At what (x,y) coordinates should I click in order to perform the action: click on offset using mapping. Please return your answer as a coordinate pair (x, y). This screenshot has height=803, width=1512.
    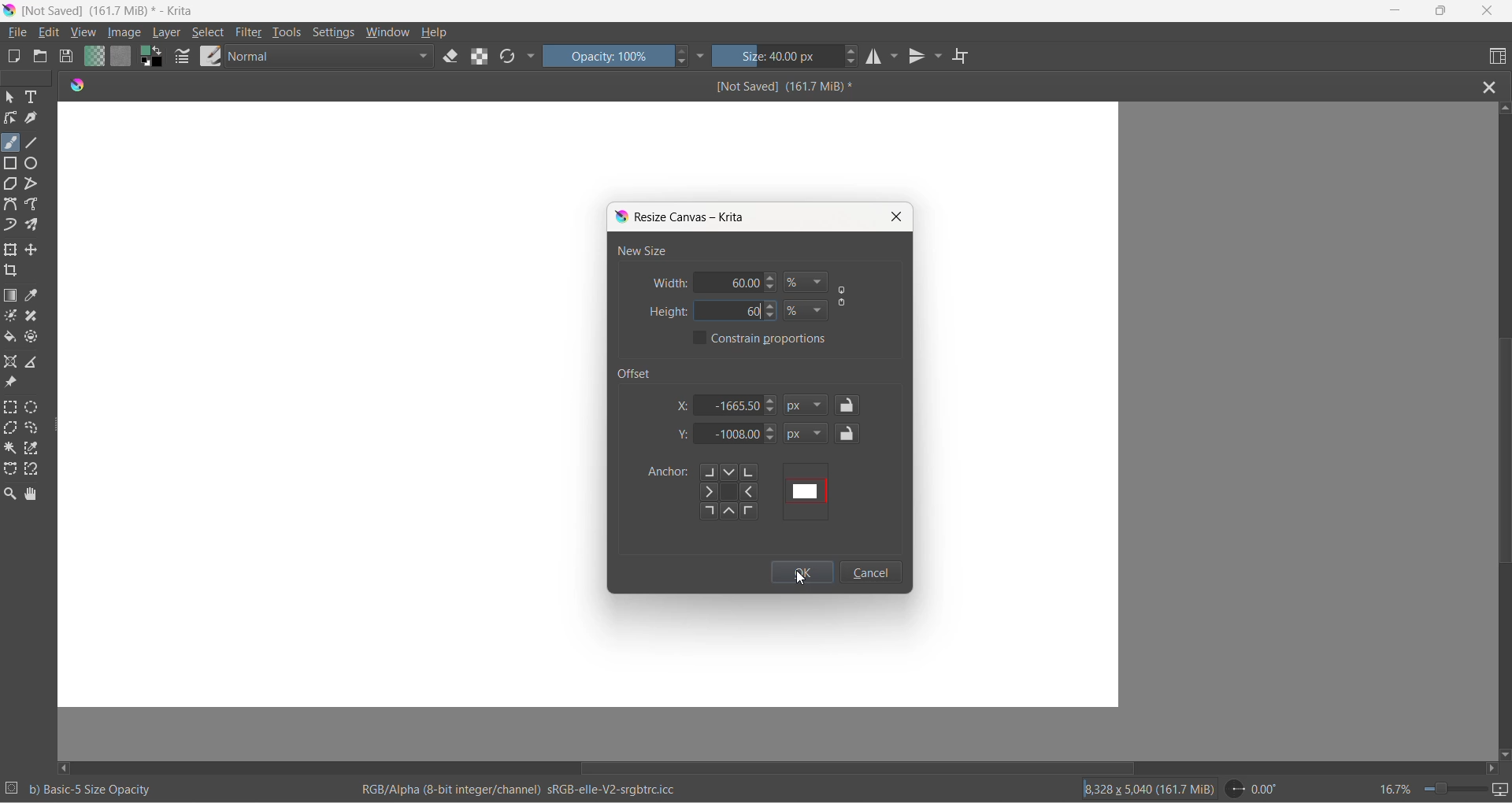
    Looking at the image, I should click on (807, 491).